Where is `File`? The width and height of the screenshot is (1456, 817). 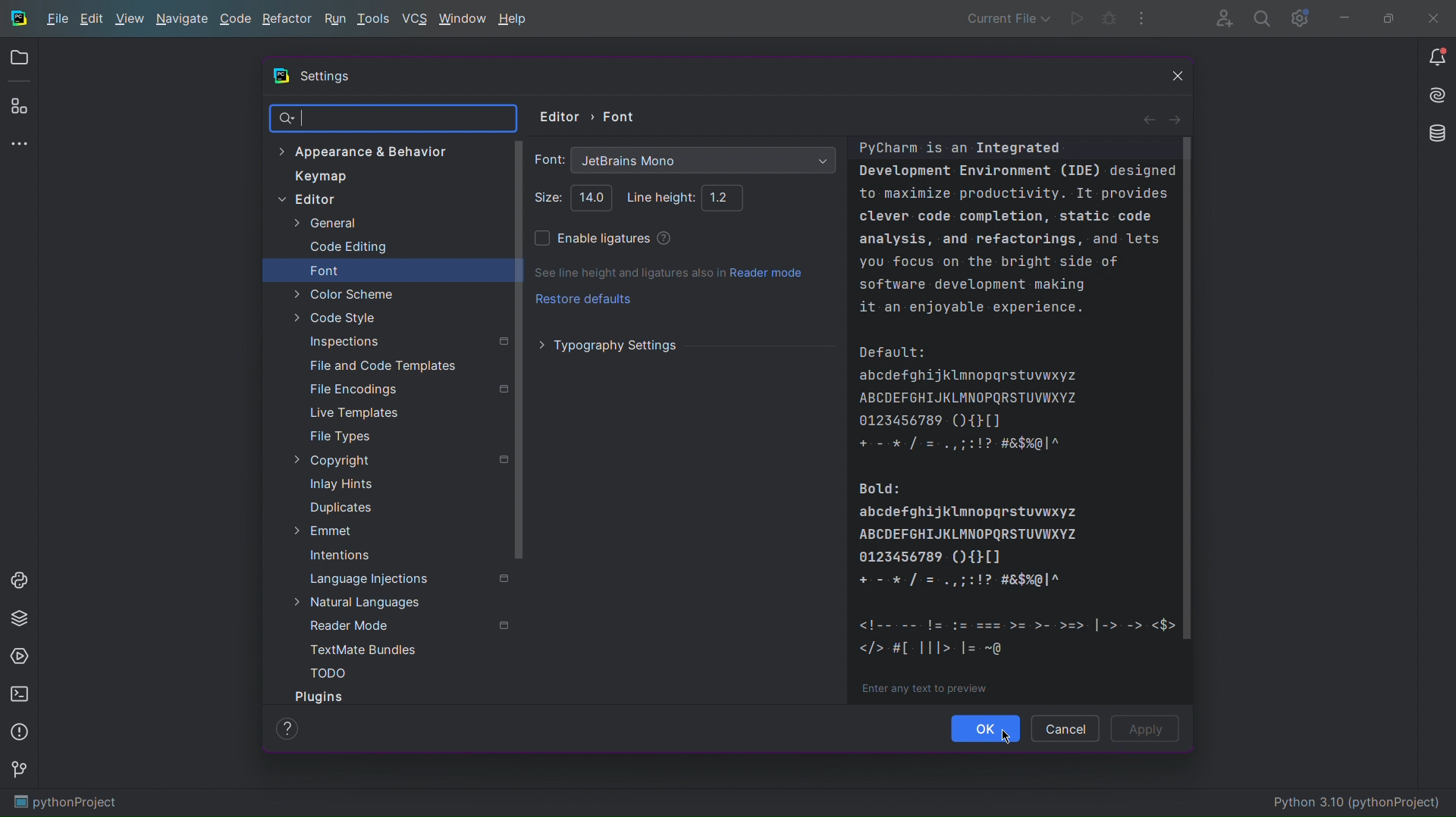 File is located at coordinates (56, 20).